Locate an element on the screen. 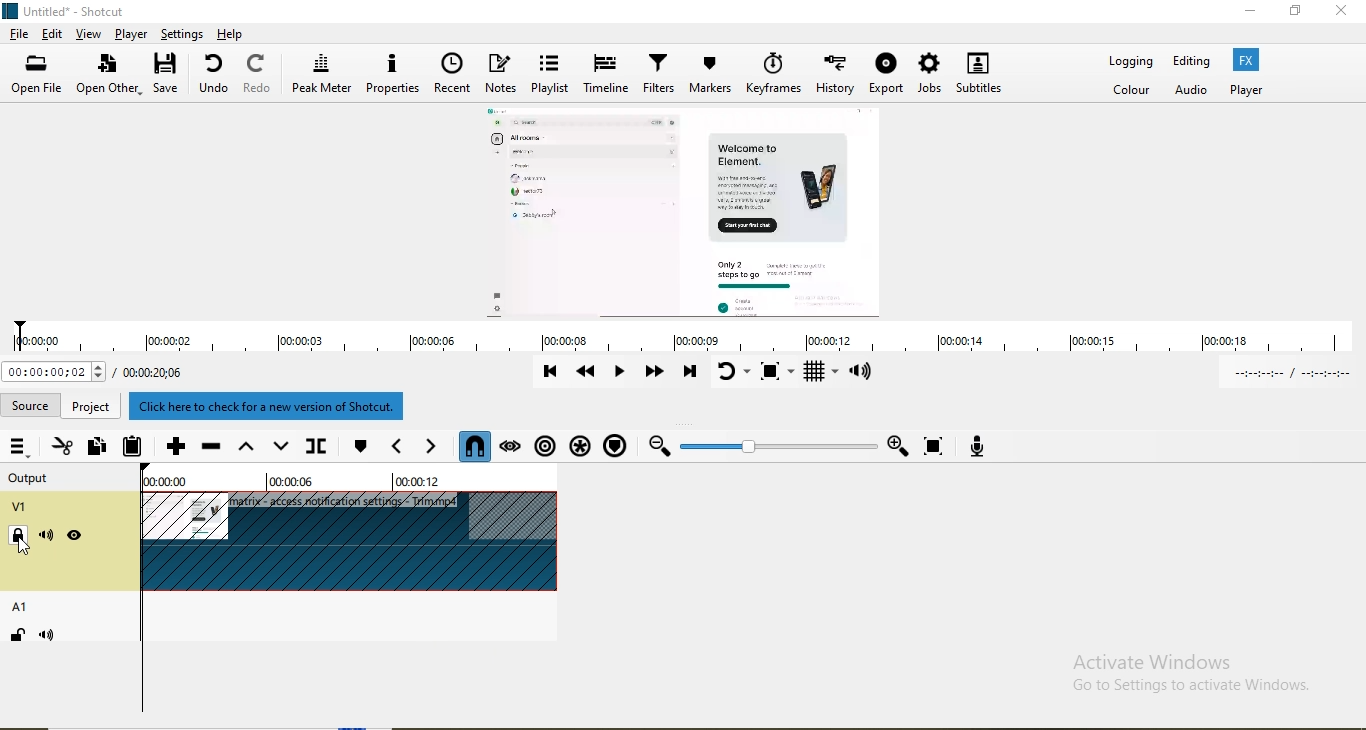  Append is located at coordinates (176, 450).